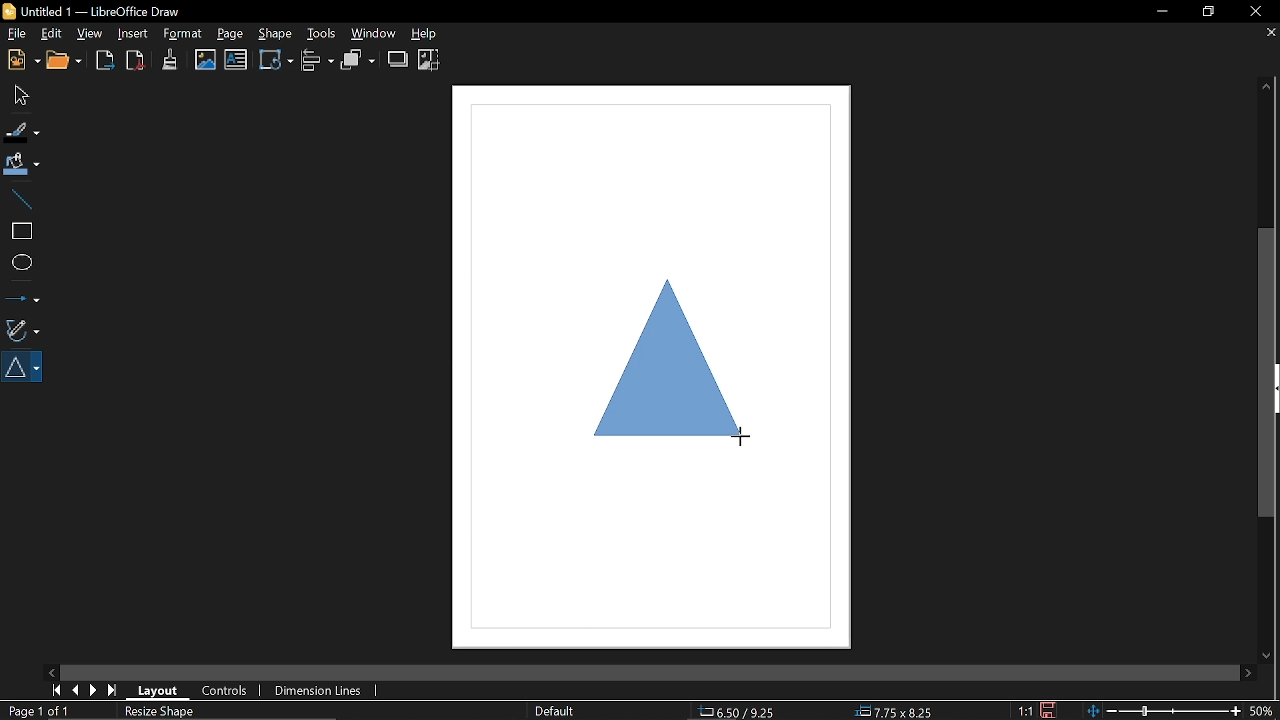 The height and width of the screenshot is (720, 1280). Describe the element at coordinates (319, 32) in the screenshot. I see `Tools` at that location.